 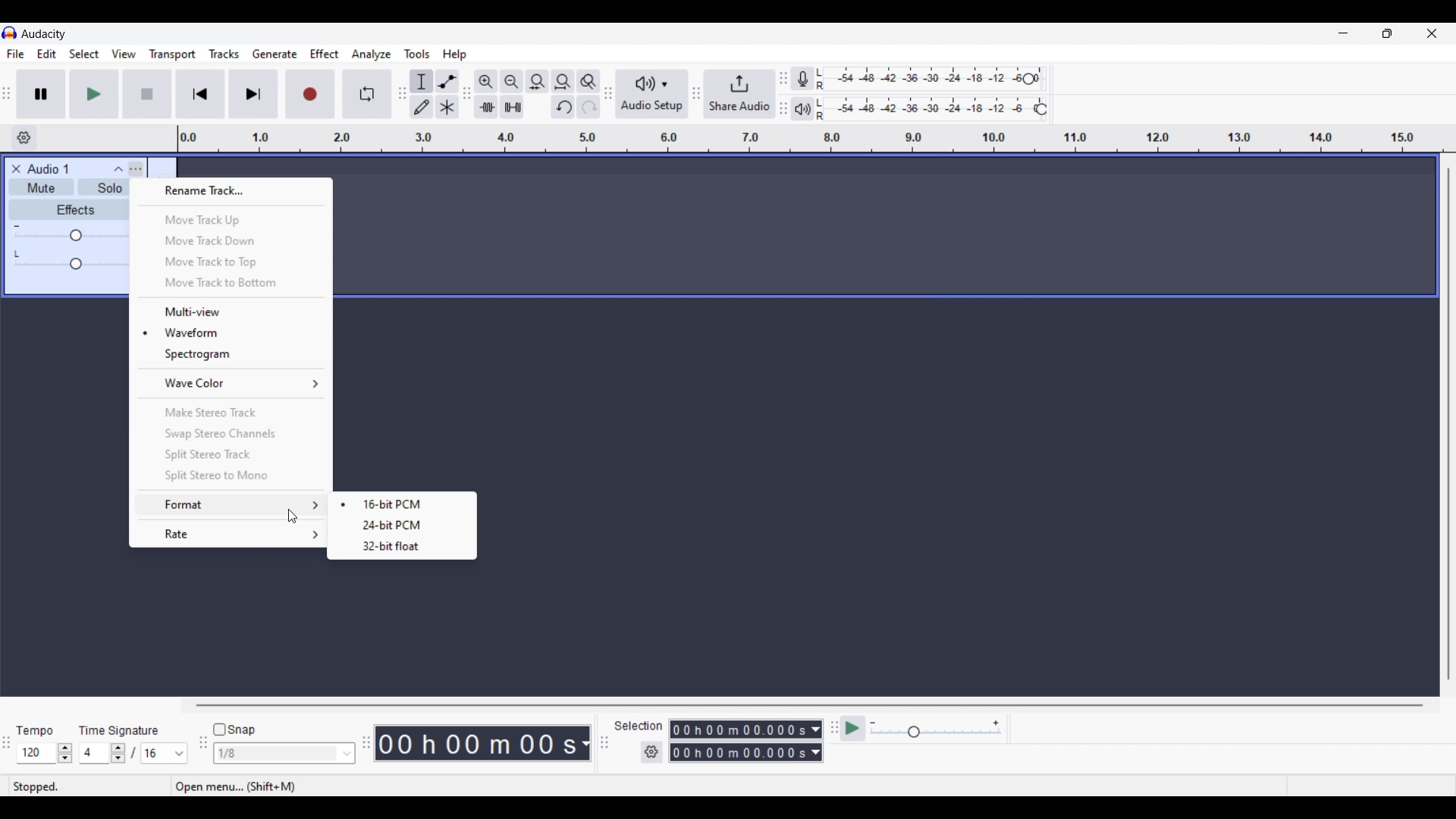 What do you see at coordinates (232, 220) in the screenshot?
I see `Move track up` at bounding box center [232, 220].